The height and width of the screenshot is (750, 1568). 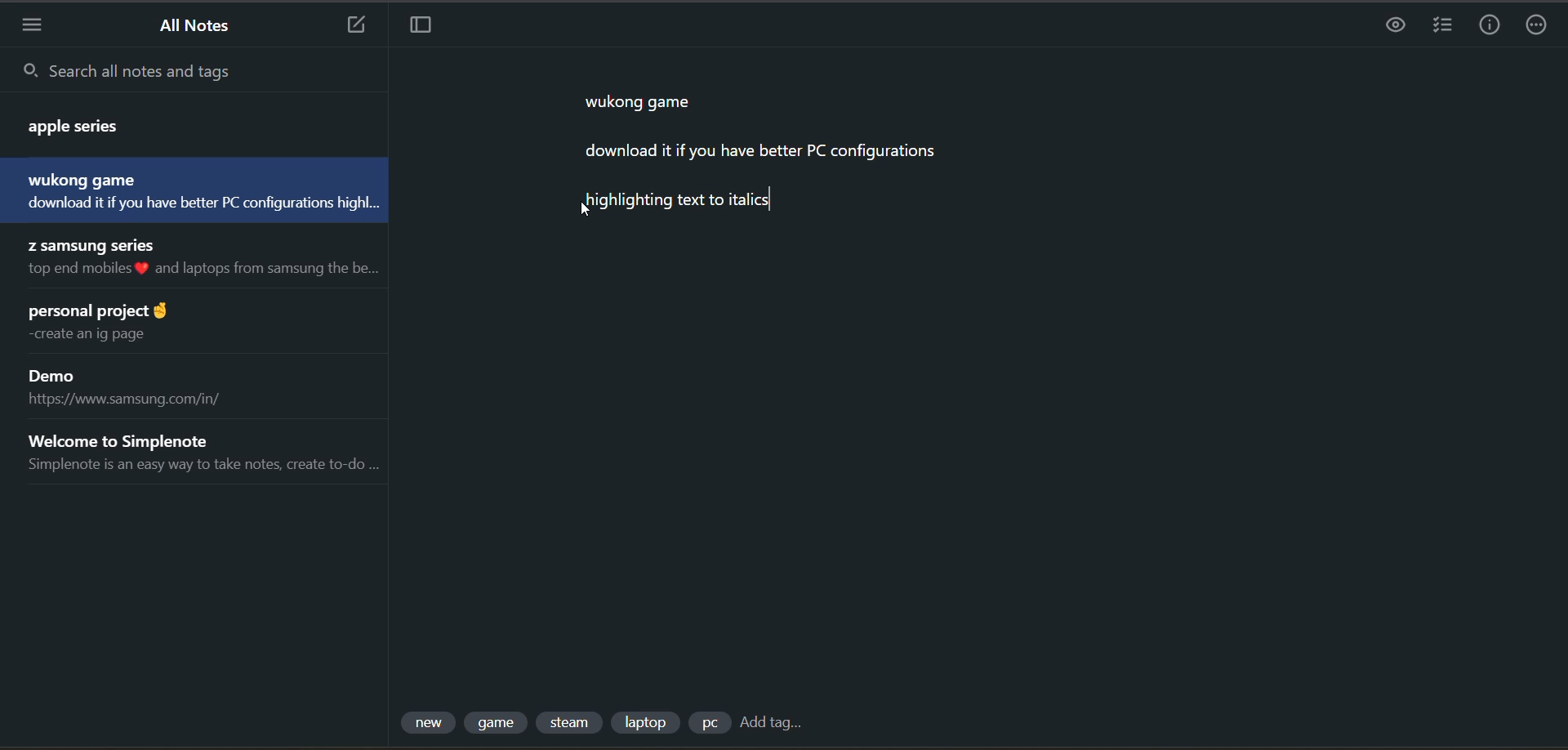 What do you see at coordinates (584, 212) in the screenshot?
I see `cursor` at bounding box center [584, 212].